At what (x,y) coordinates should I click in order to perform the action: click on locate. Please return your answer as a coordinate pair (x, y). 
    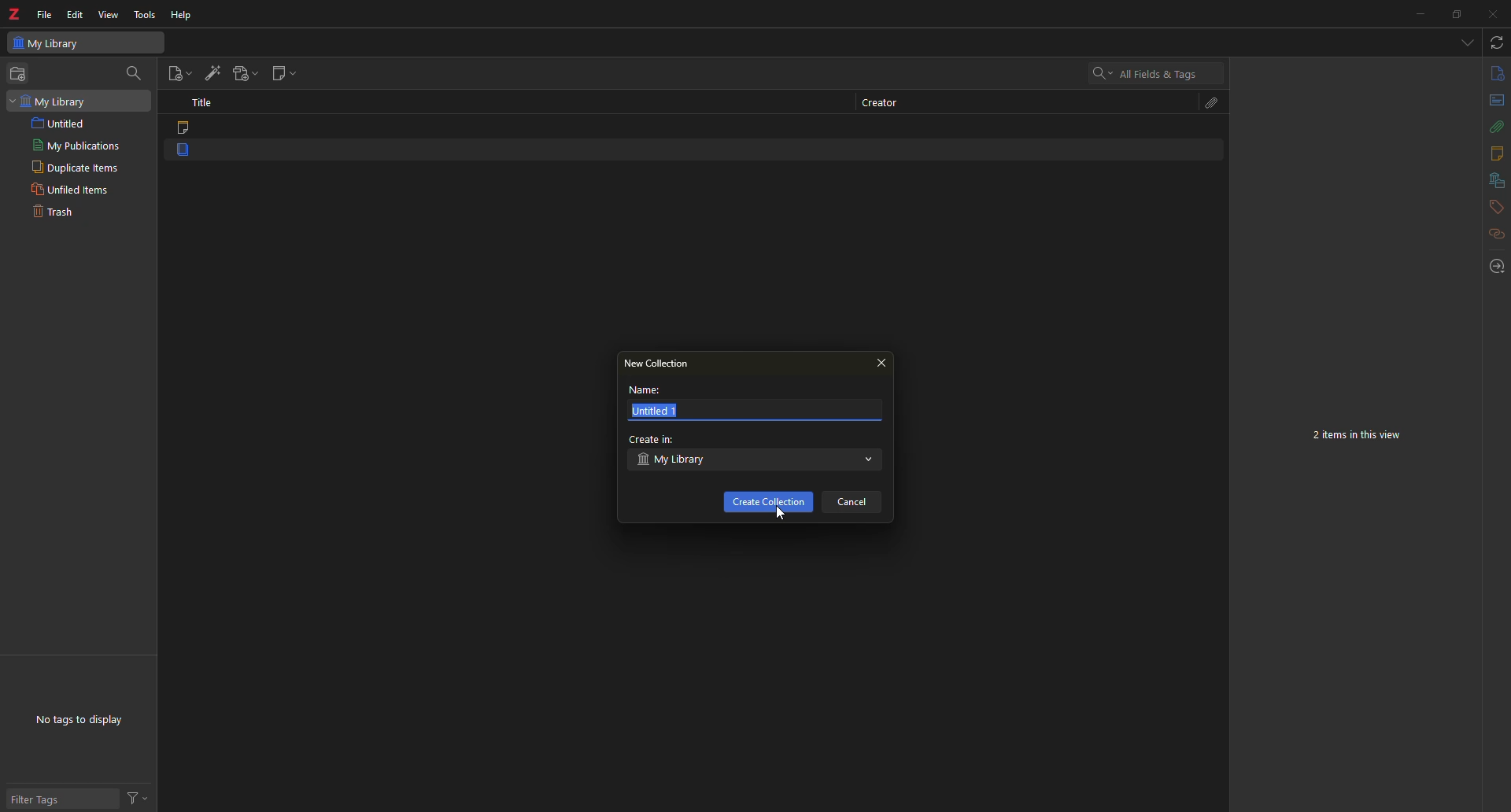
    Looking at the image, I should click on (1493, 266).